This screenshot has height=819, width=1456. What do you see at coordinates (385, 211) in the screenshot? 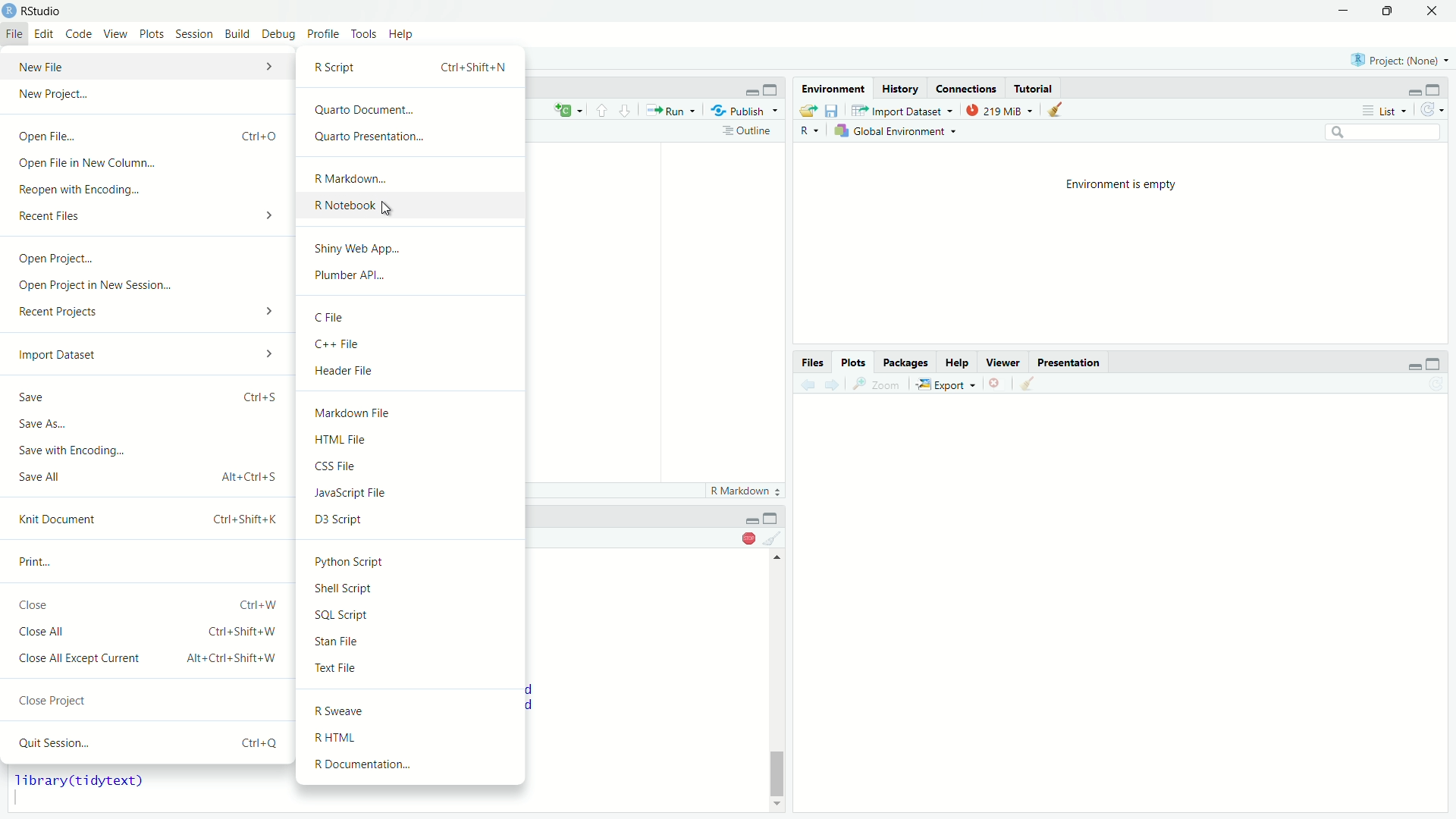
I see `Cursor` at bounding box center [385, 211].